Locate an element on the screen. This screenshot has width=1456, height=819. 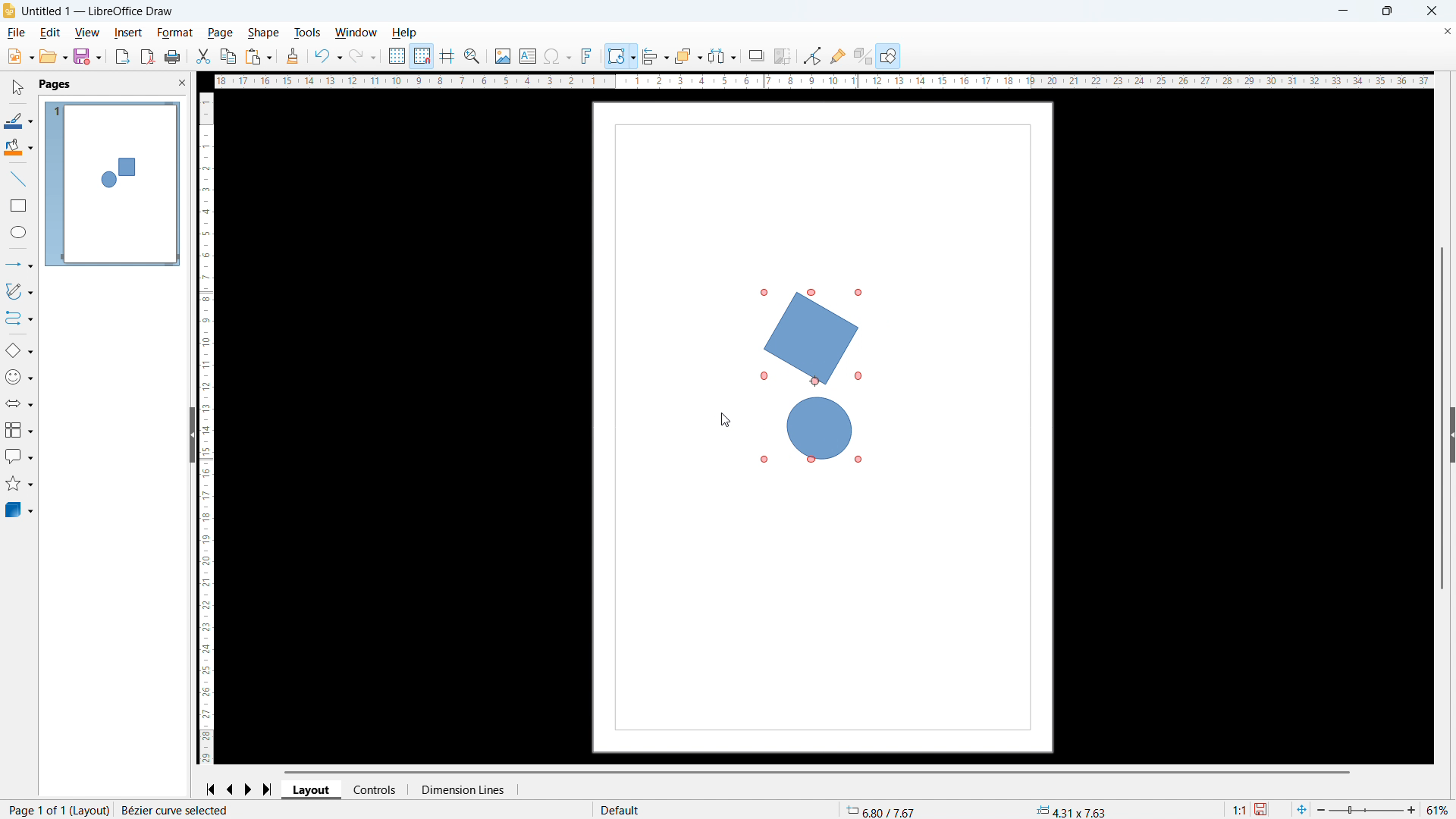
Line colour  is located at coordinates (19, 121).